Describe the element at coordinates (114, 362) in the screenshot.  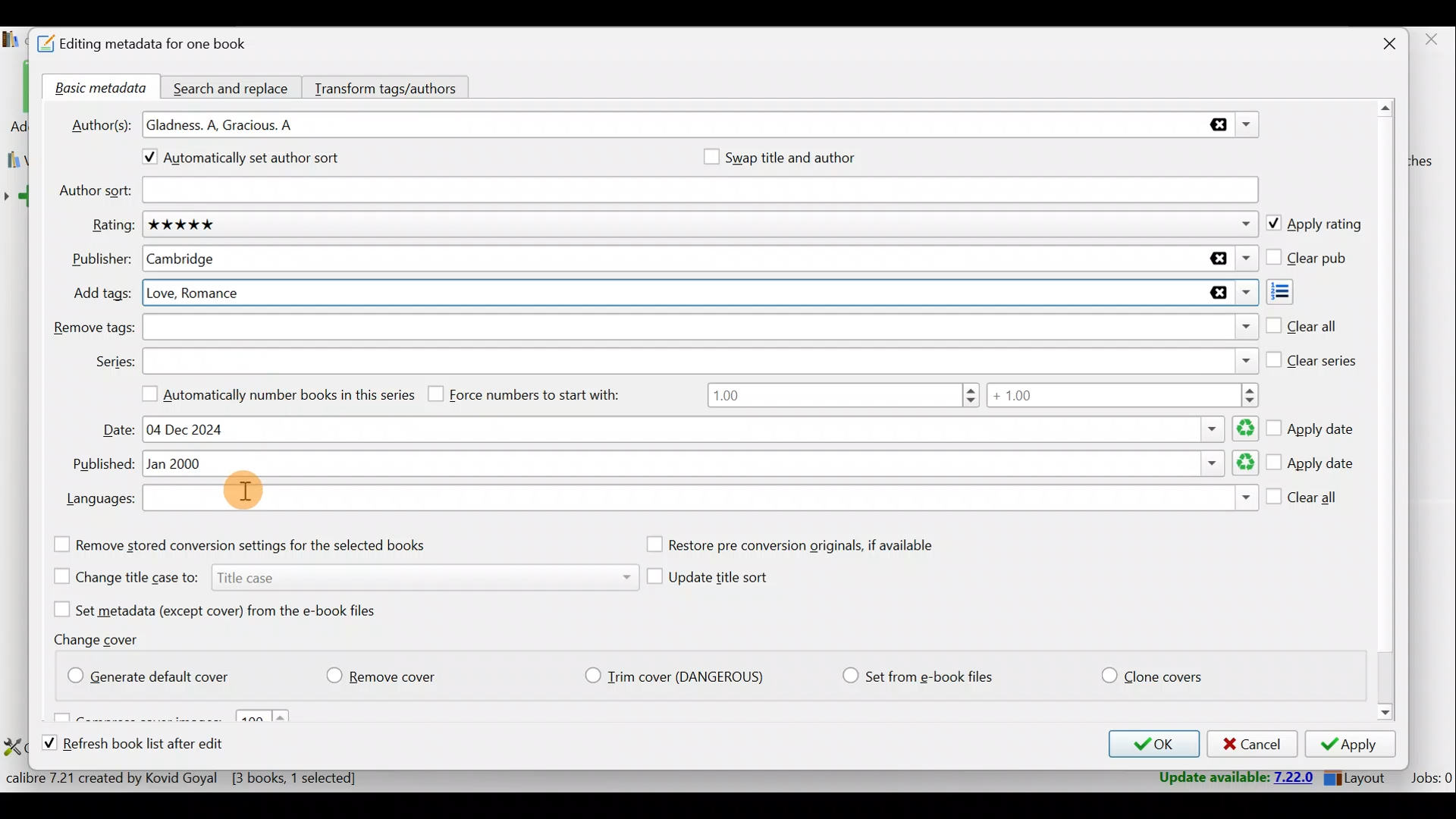
I see `Series:` at that location.